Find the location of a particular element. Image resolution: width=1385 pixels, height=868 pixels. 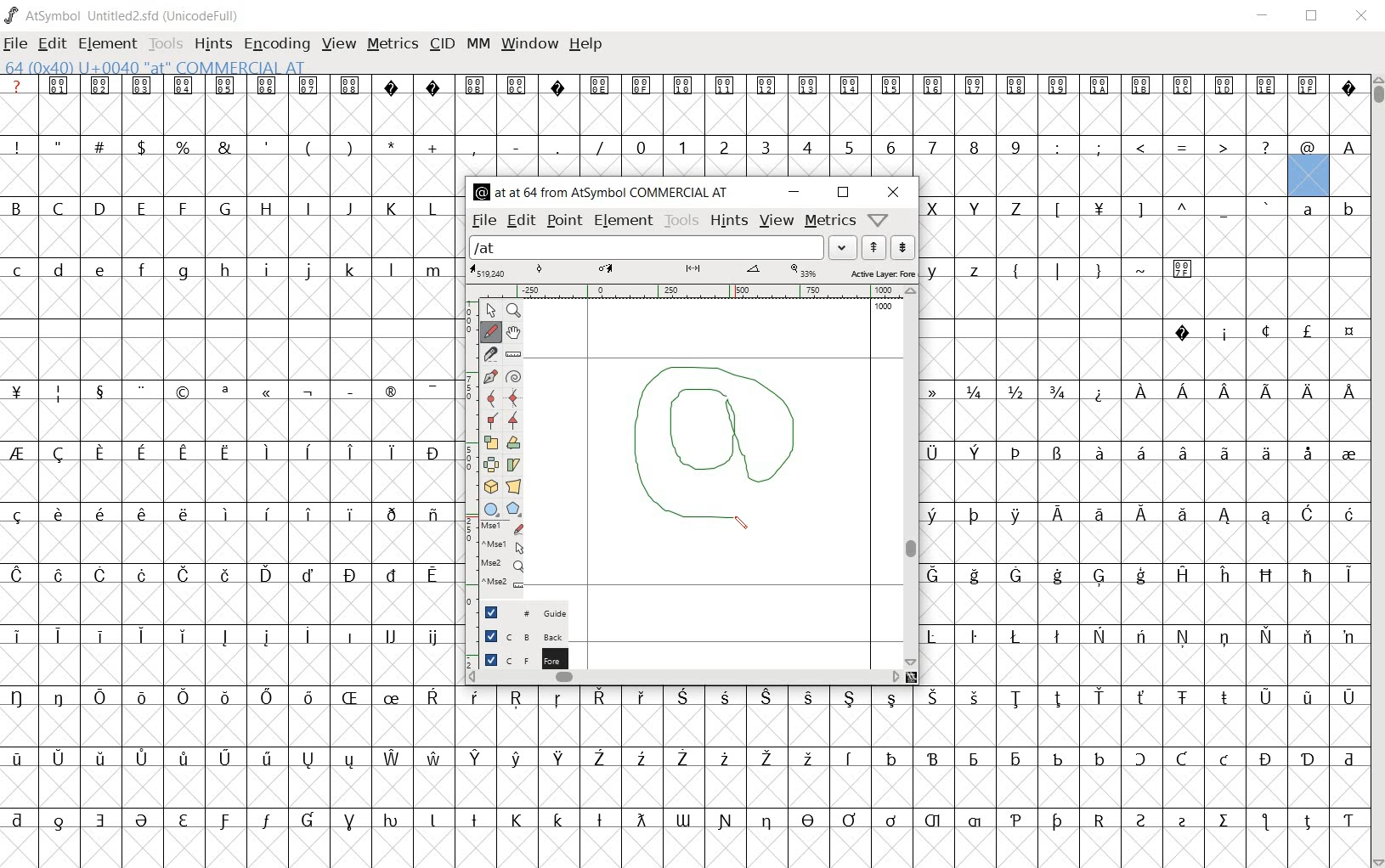

checkbox is located at coordinates (491, 635).